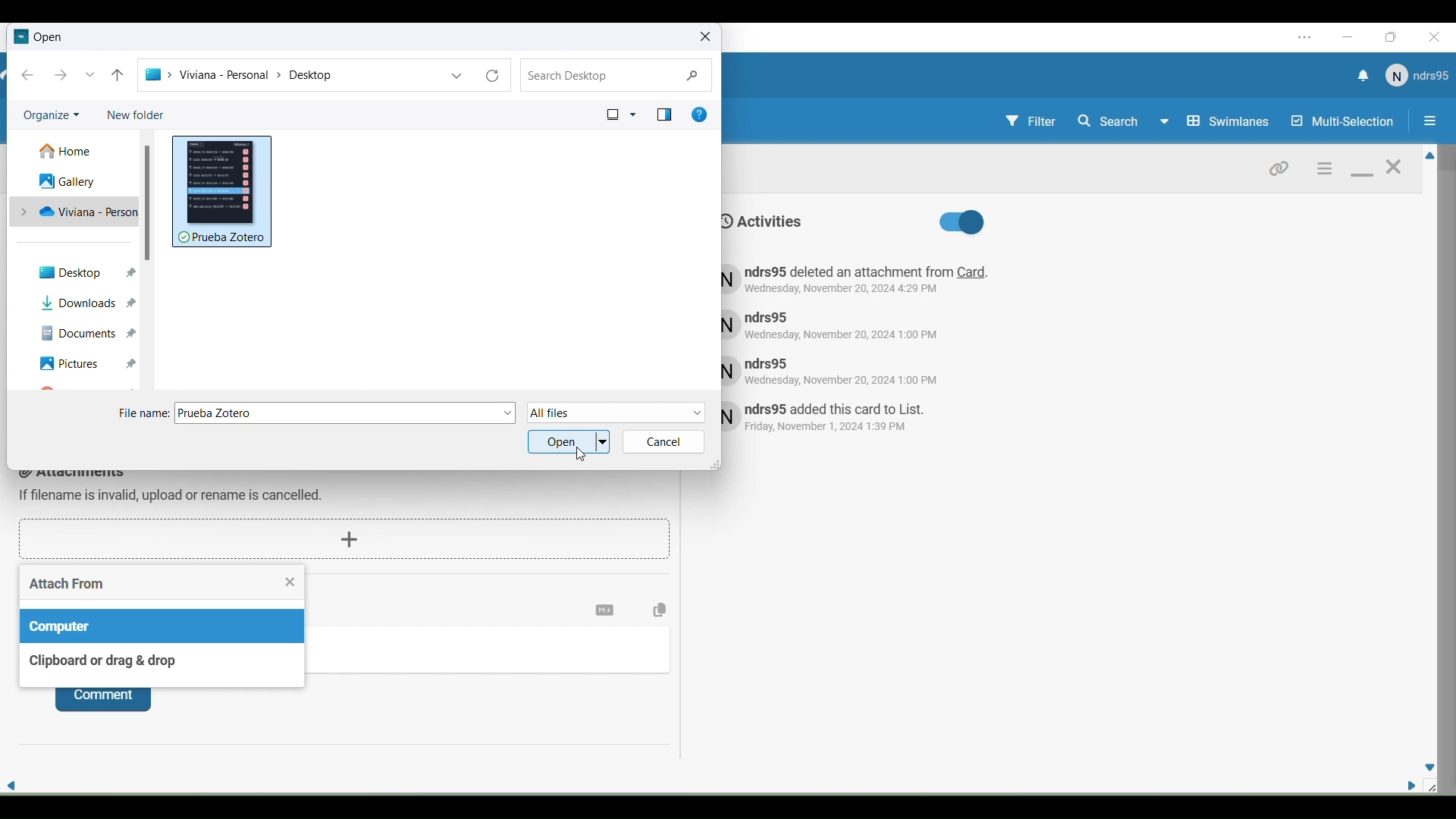 Image resolution: width=1456 pixels, height=819 pixels. What do you see at coordinates (582, 454) in the screenshot?
I see `Cursor` at bounding box center [582, 454].